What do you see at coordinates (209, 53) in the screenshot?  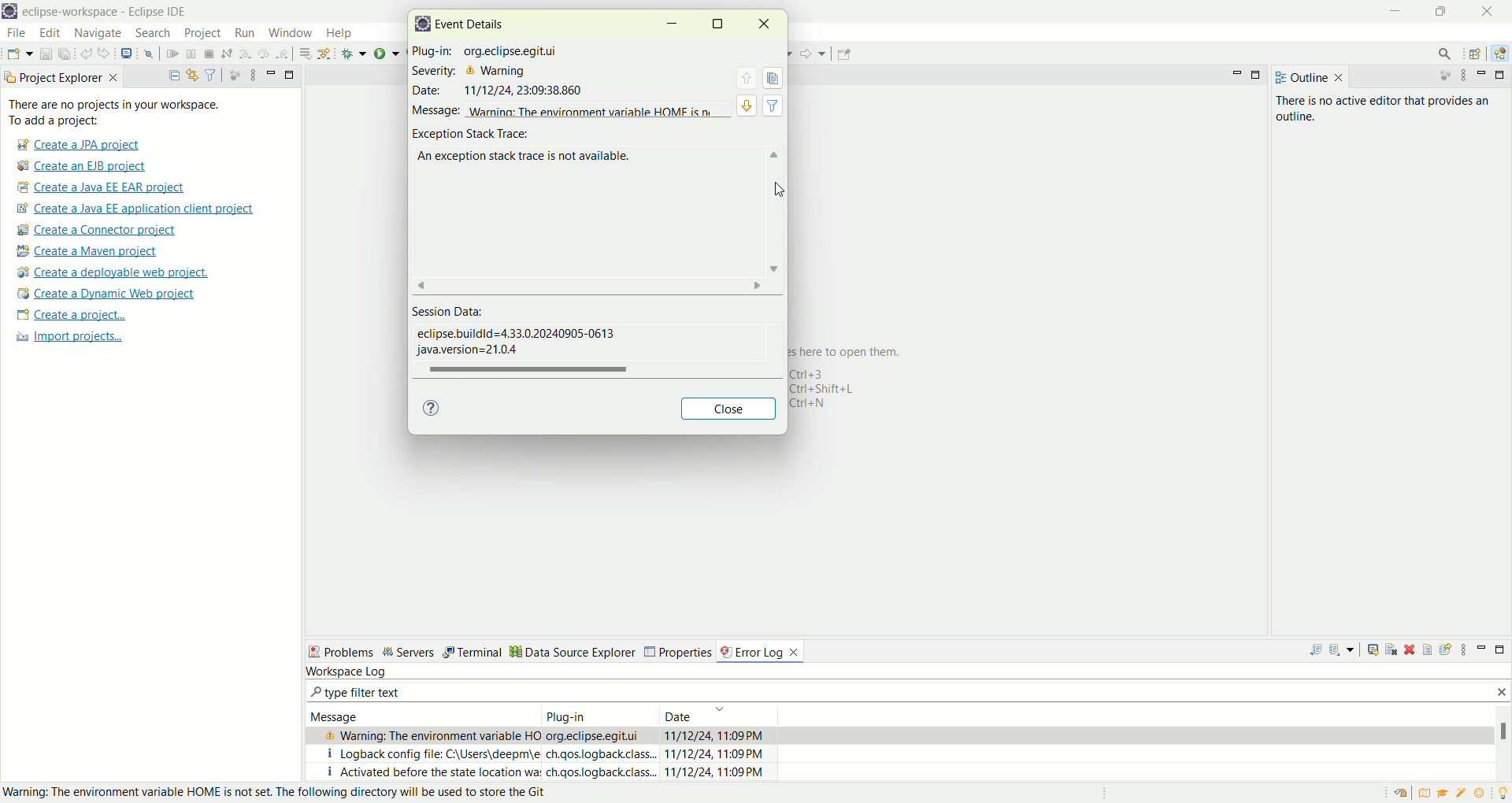 I see `terminate` at bounding box center [209, 53].